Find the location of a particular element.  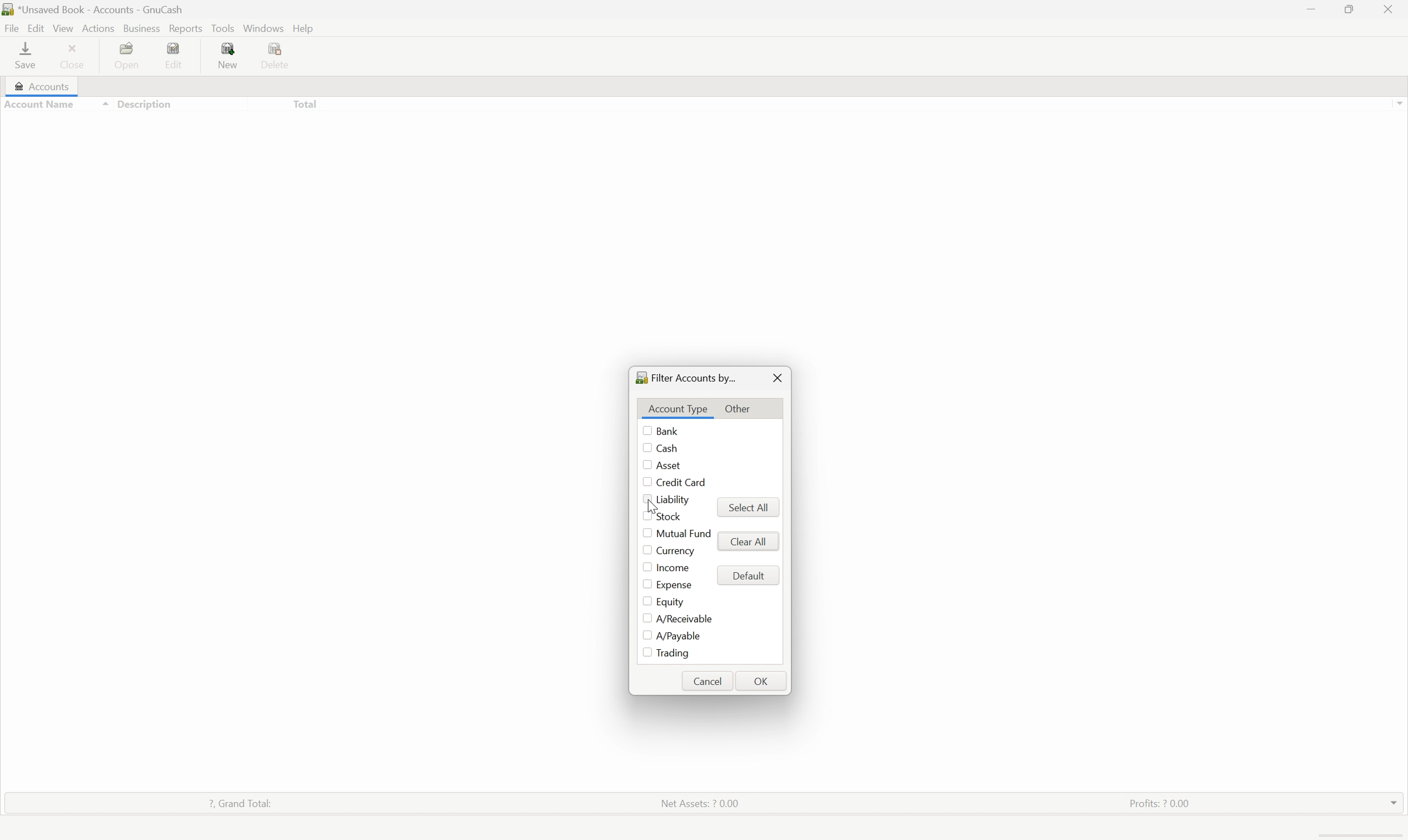

Edit is located at coordinates (176, 55).